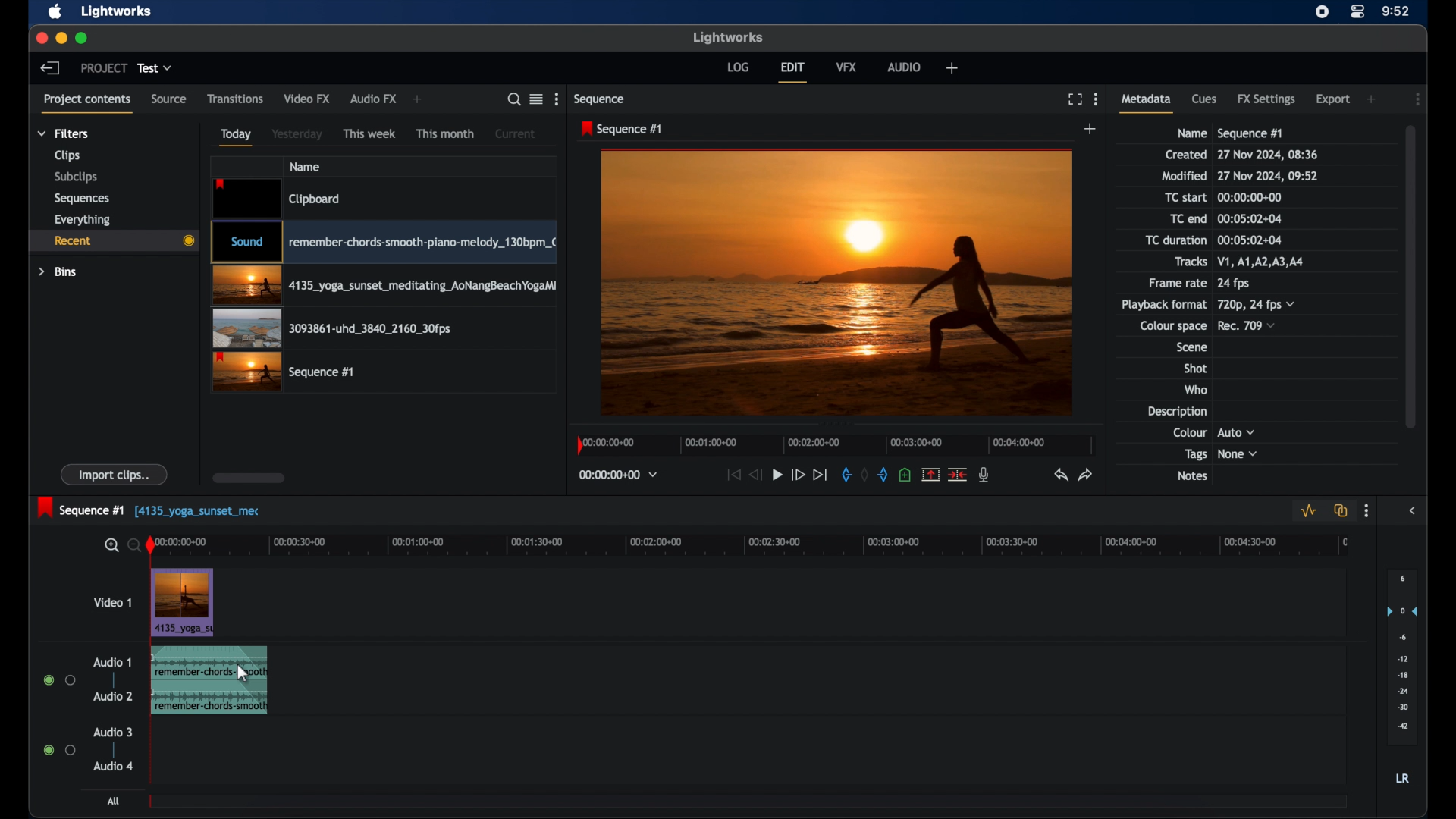 The image size is (1456, 819). I want to click on scroll box, so click(249, 478).